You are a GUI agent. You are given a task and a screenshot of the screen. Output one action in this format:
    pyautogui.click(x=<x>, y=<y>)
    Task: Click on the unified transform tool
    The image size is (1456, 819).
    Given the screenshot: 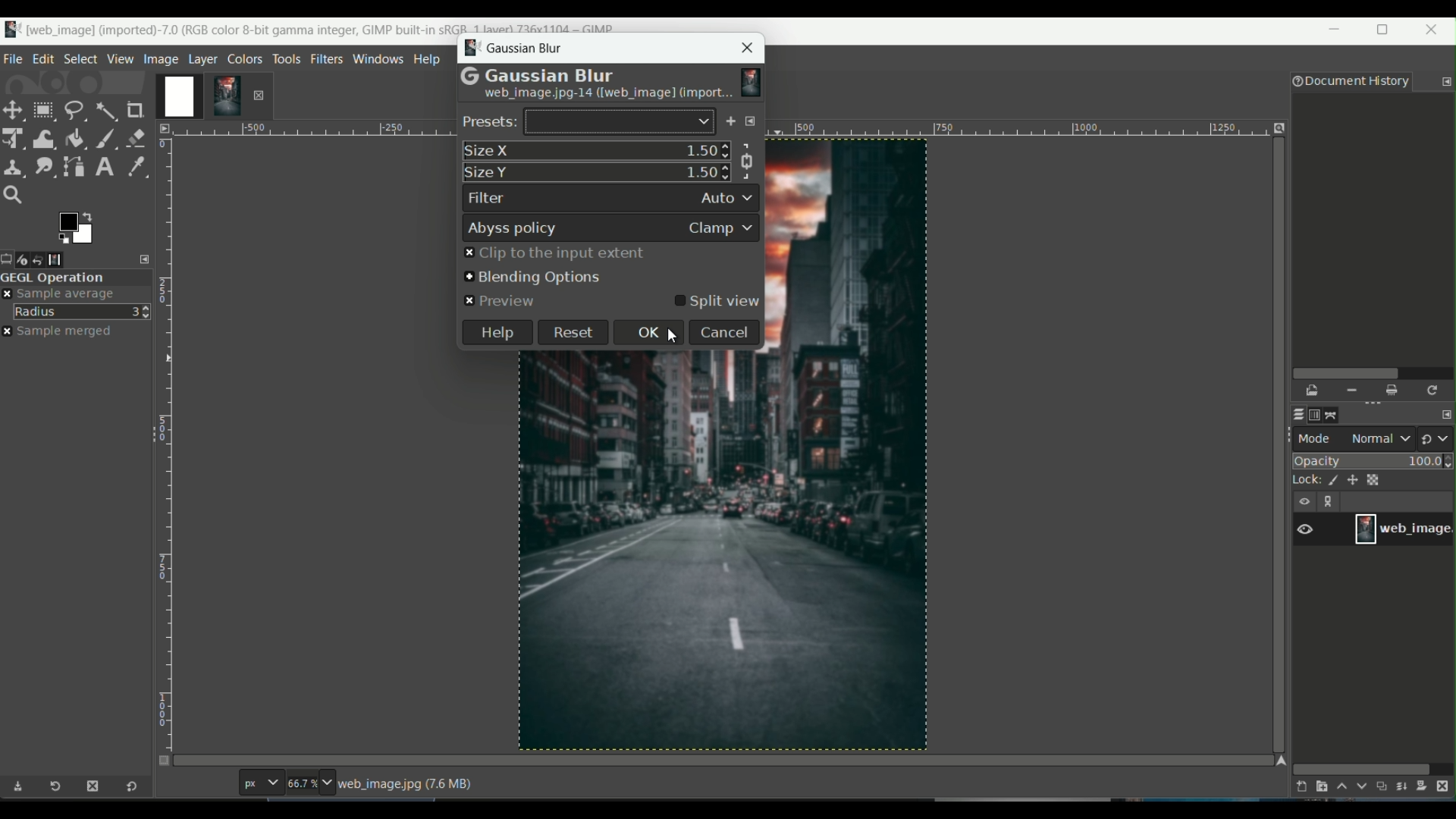 What is the action you would take?
    pyautogui.click(x=14, y=137)
    